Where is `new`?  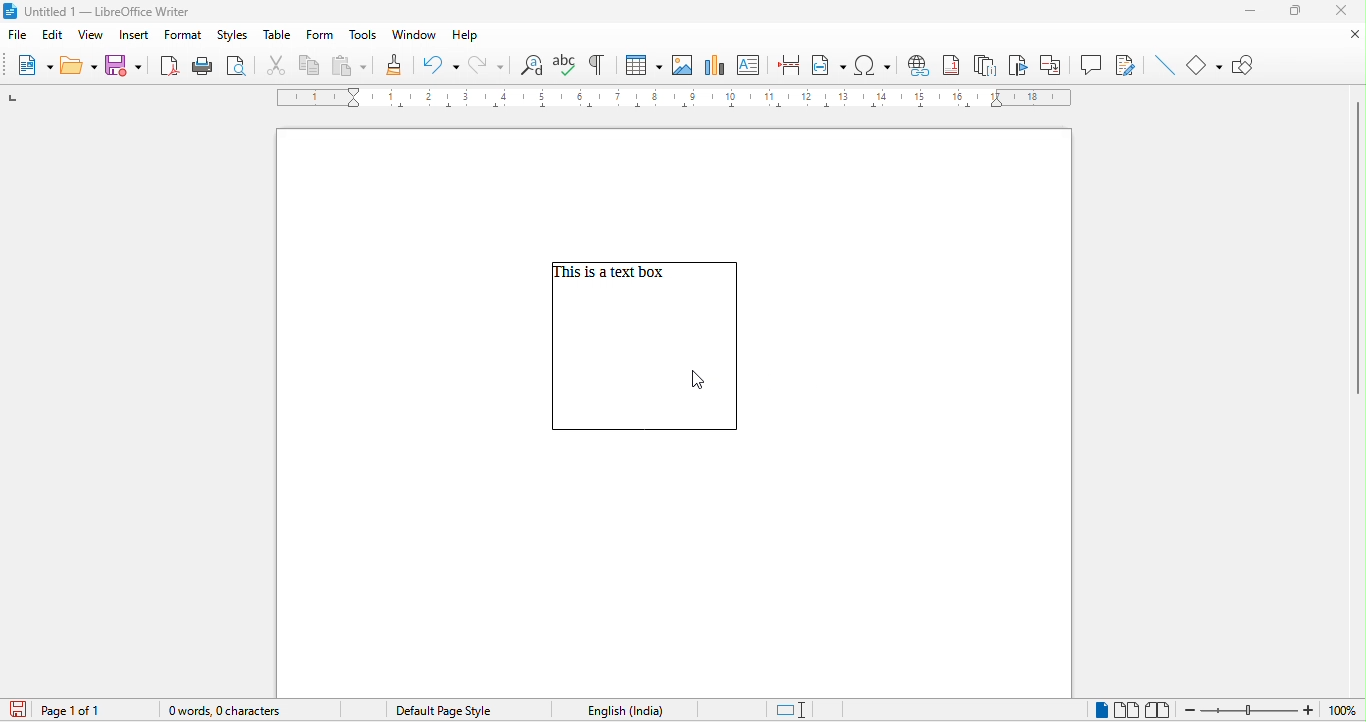
new is located at coordinates (34, 67).